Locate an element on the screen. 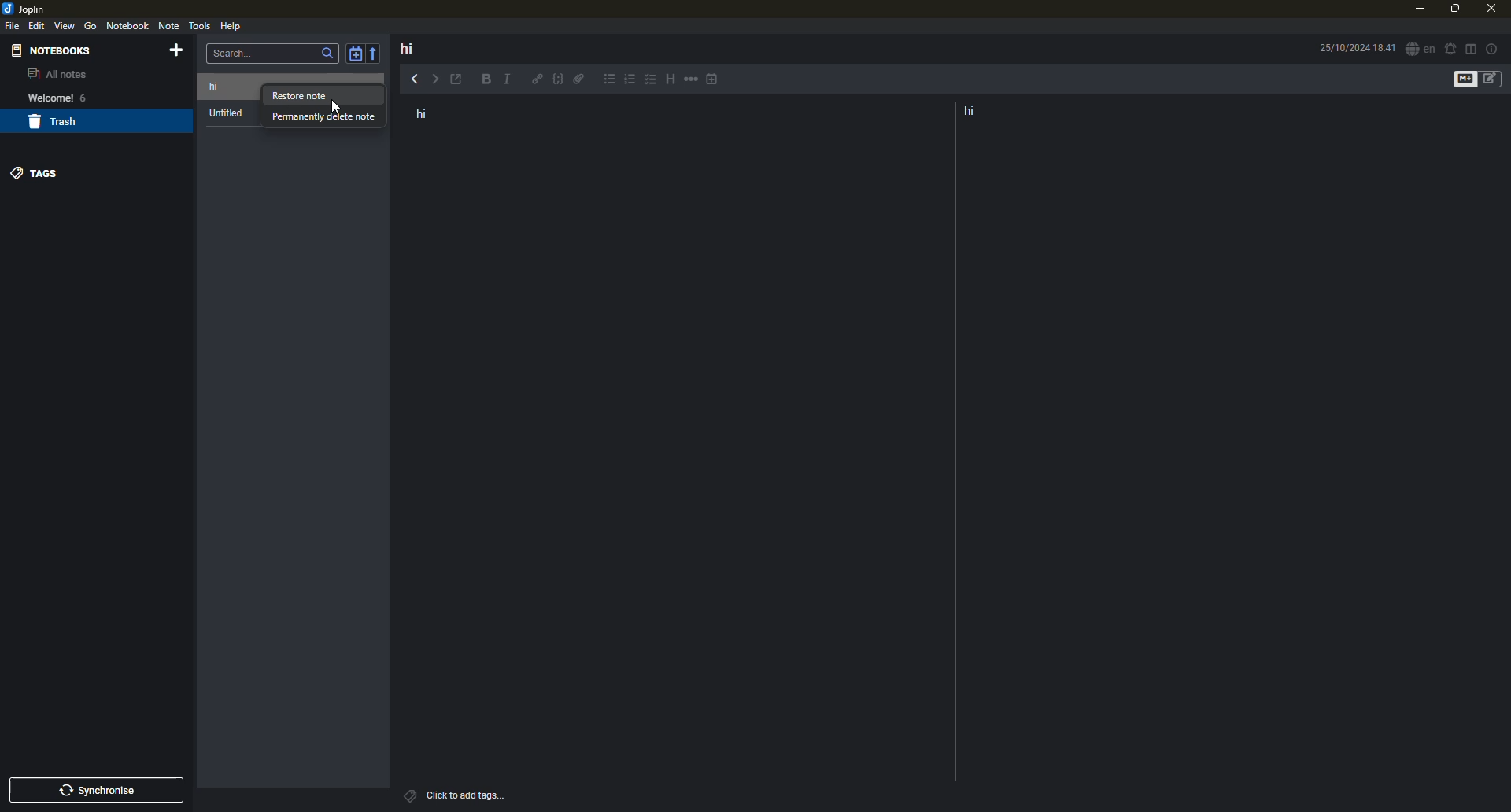  25/10/2024 18:41 is located at coordinates (1354, 48).